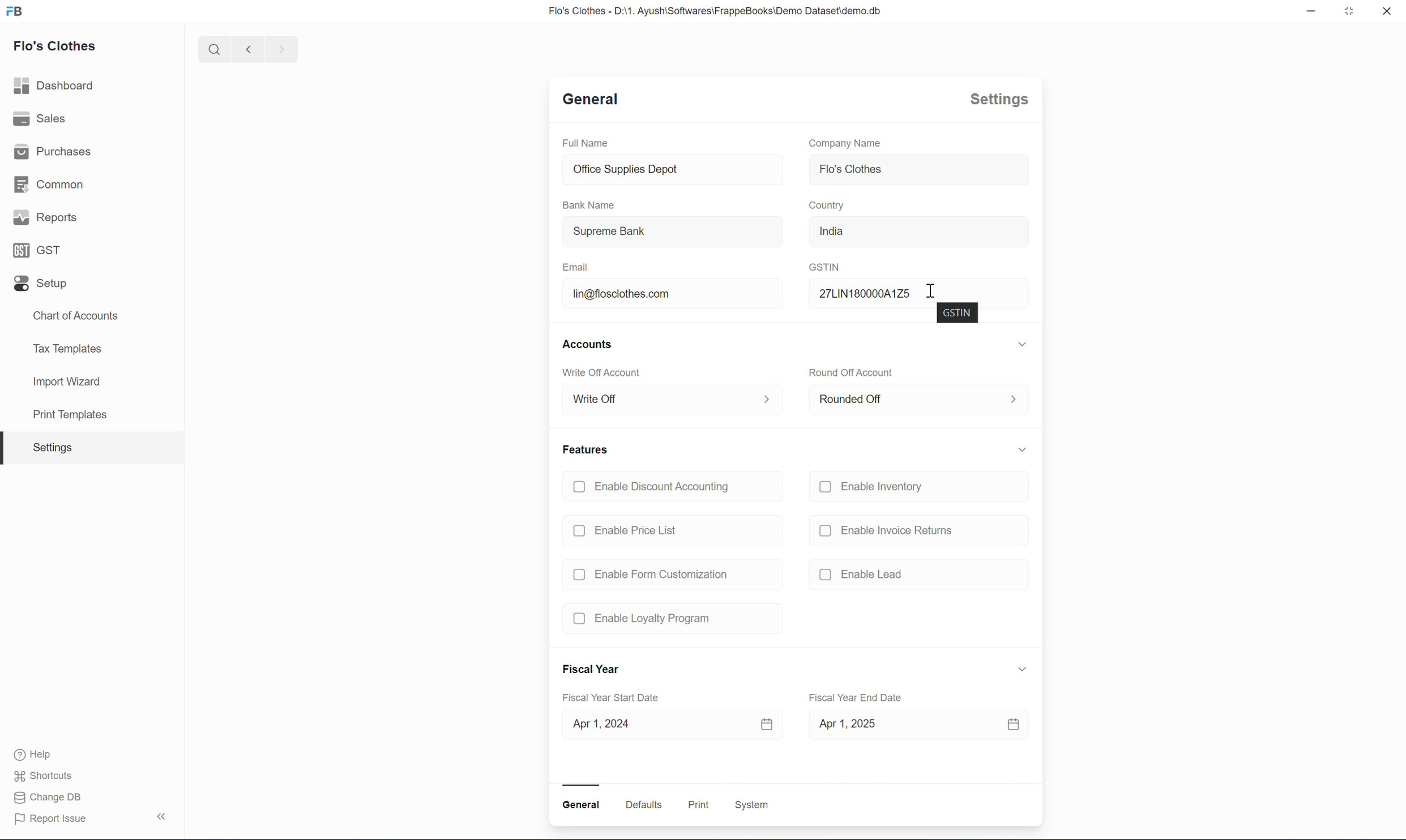 This screenshot has height=840, width=1406. Describe the element at coordinates (750, 804) in the screenshot. I see `System` at that location.